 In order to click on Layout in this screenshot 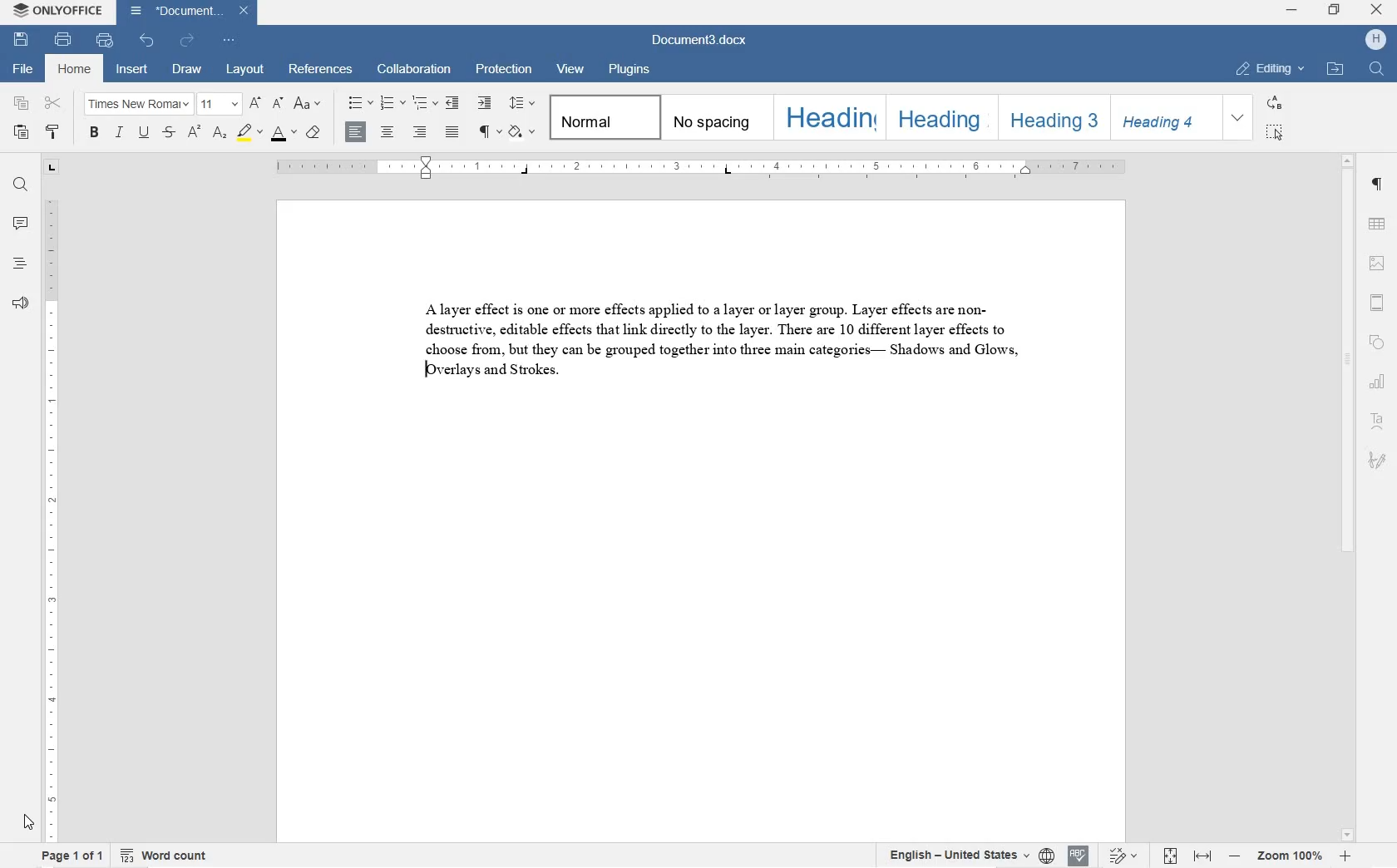, I will do `click(244, 70)`.